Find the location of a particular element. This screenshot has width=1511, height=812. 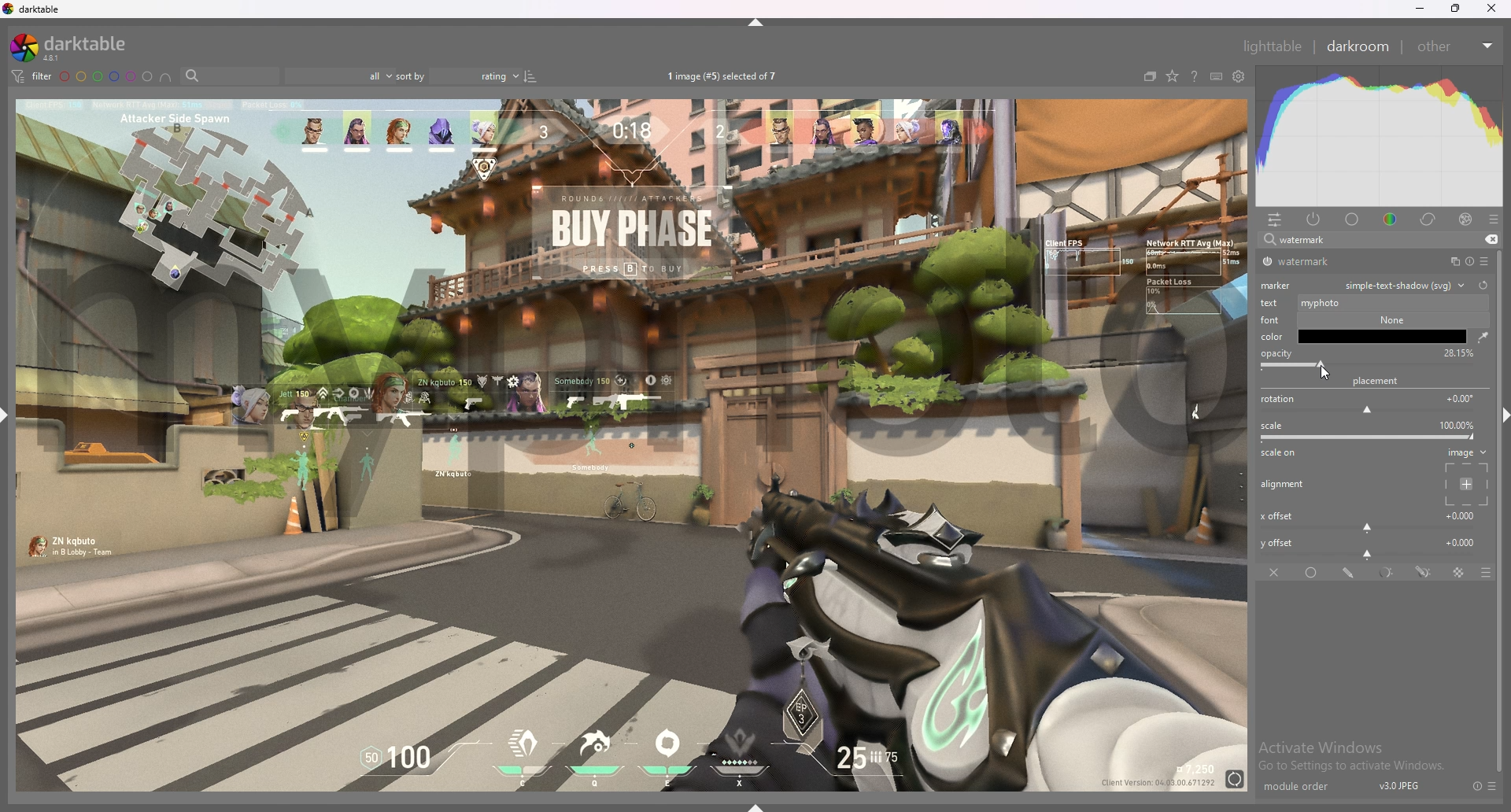

module order is located at coordinates (1304, 787).